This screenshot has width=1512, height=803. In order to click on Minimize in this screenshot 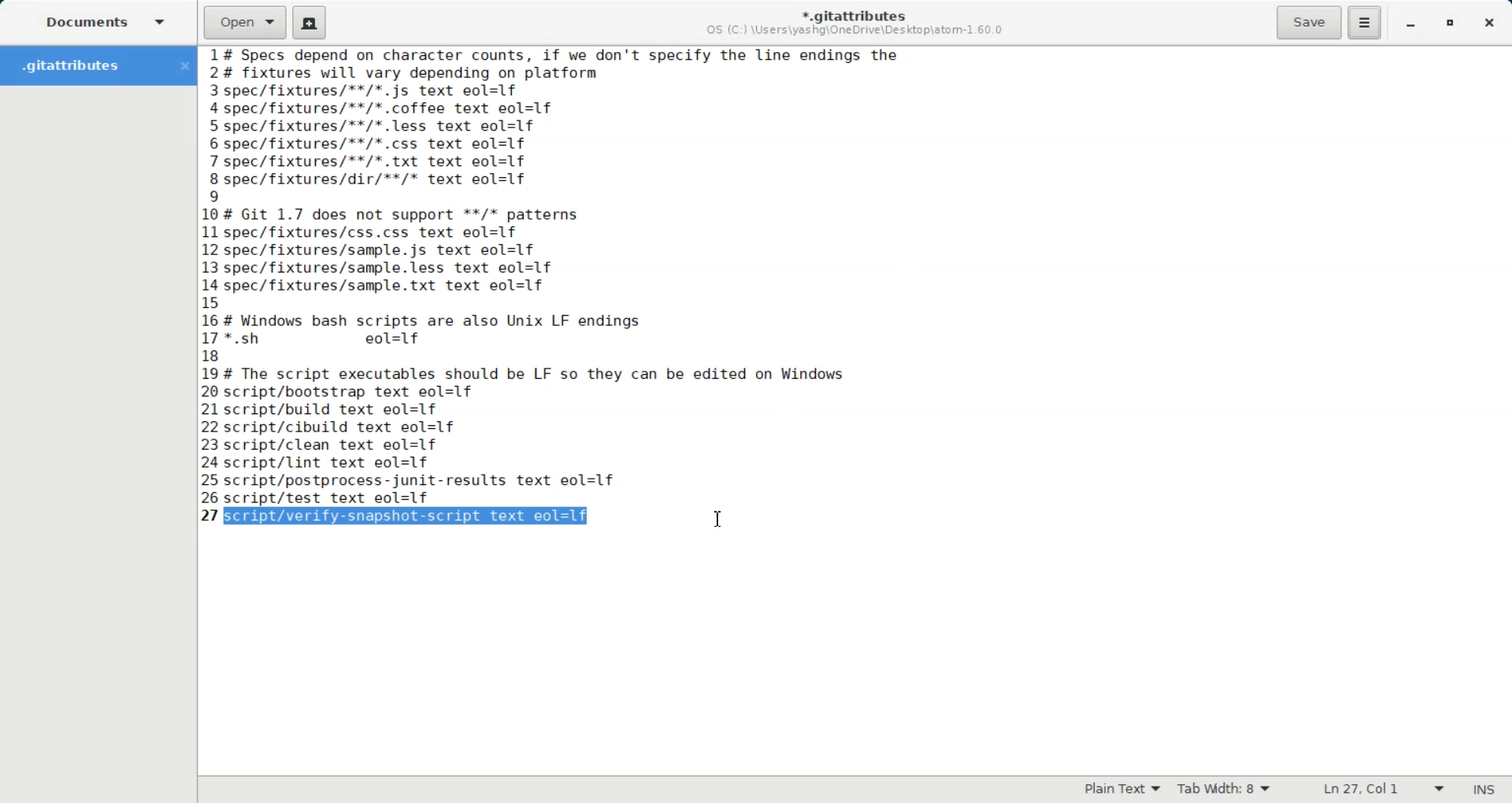, I will do `click(1410, 25)`.